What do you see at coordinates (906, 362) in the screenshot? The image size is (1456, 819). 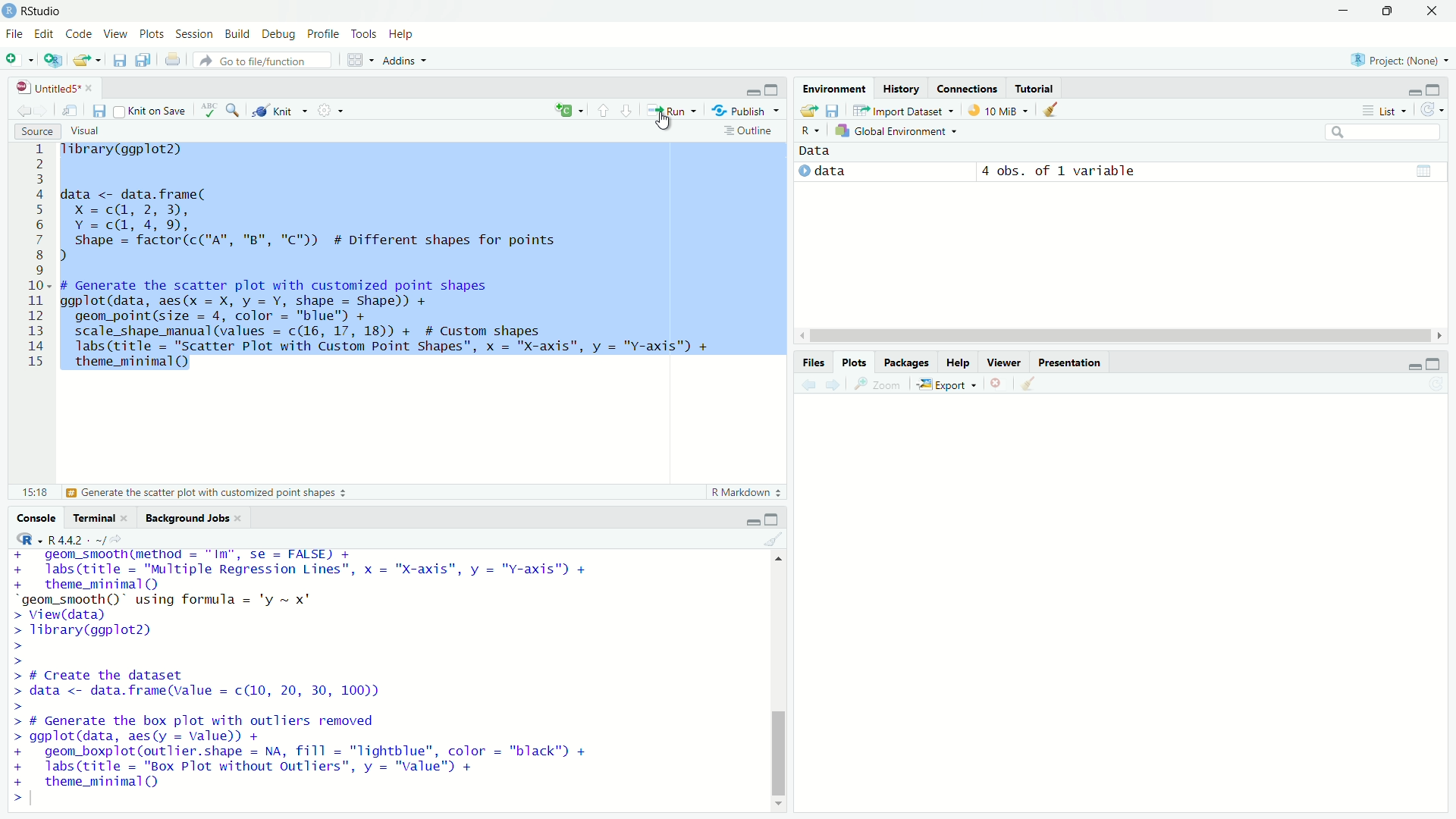 I see `Packages` at bounding box center [906, 362].